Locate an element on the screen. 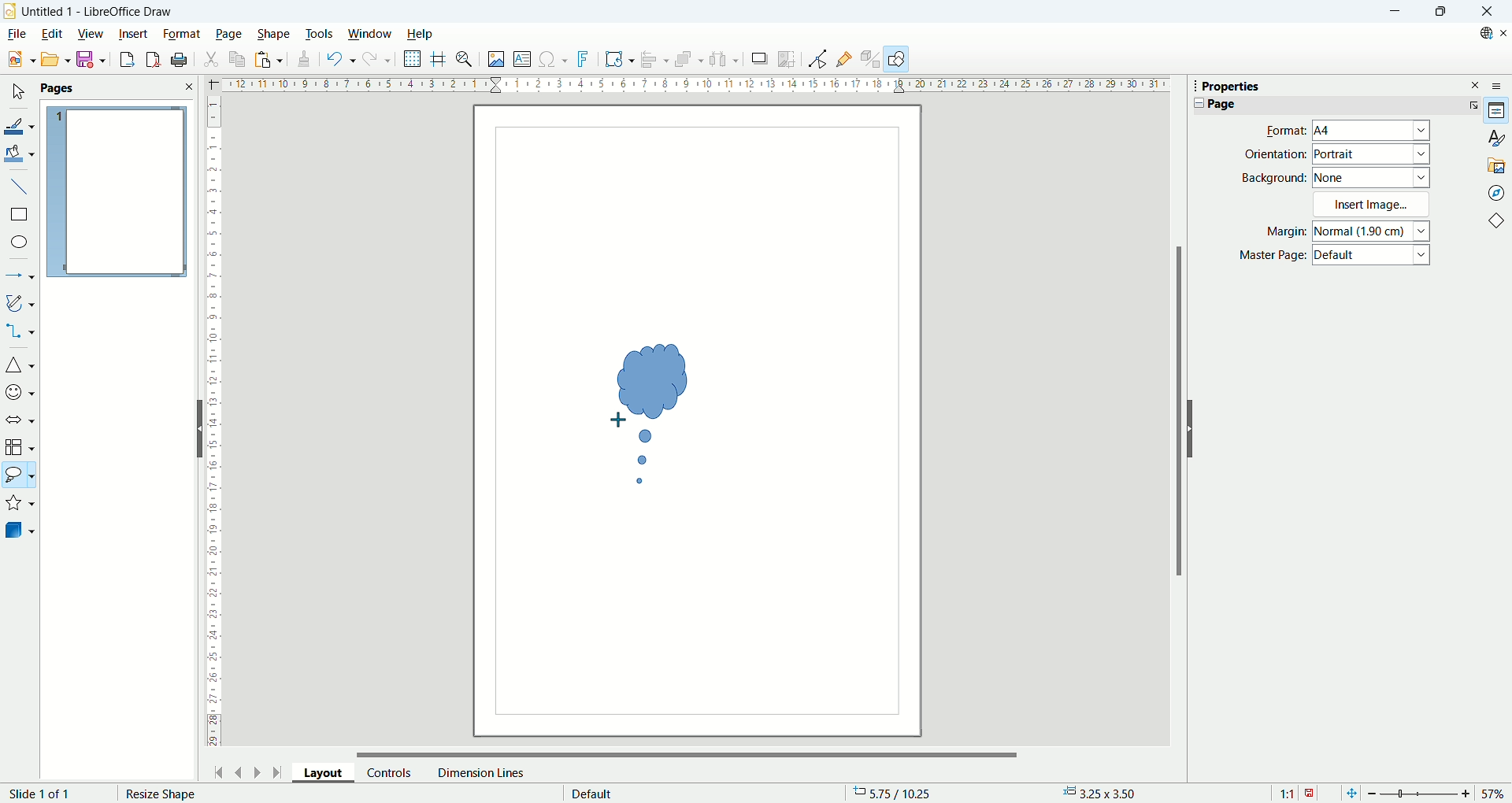  ellipse is located at coordinates (20, 243).